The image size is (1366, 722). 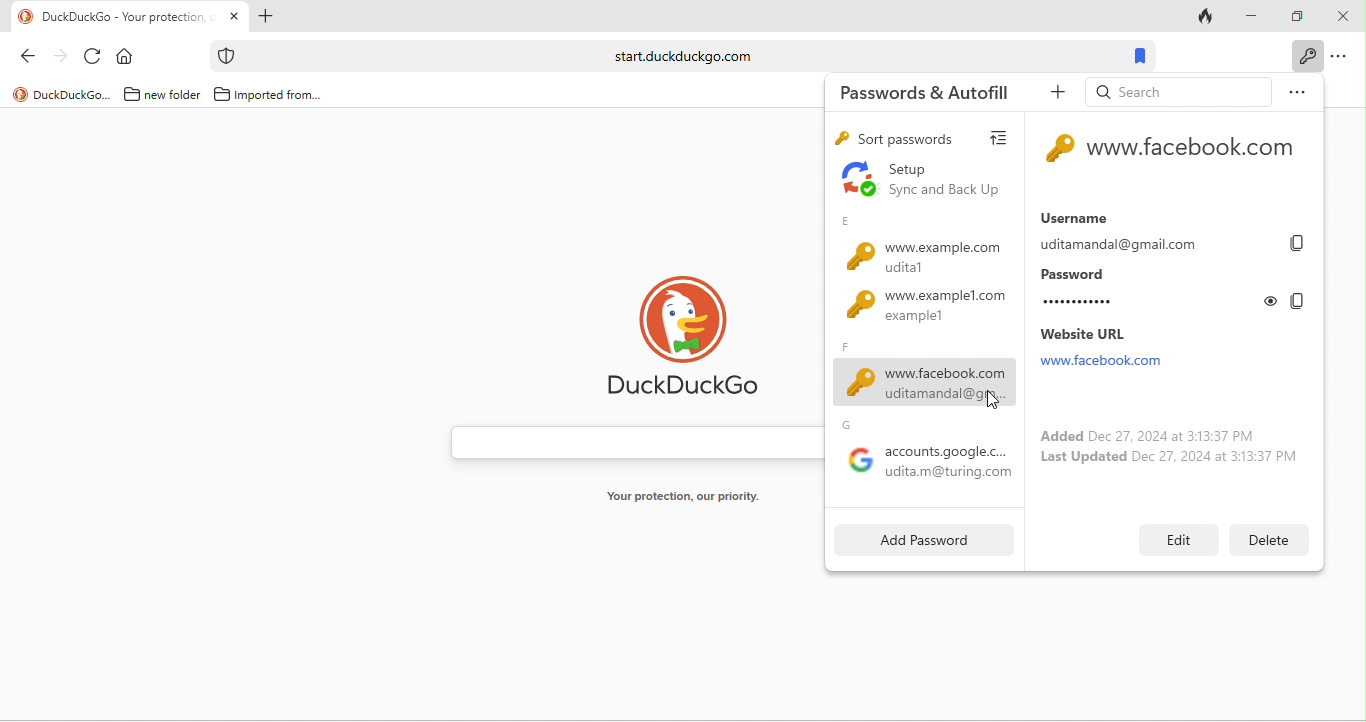 I want to click on google account, so click(x=925, y=455).